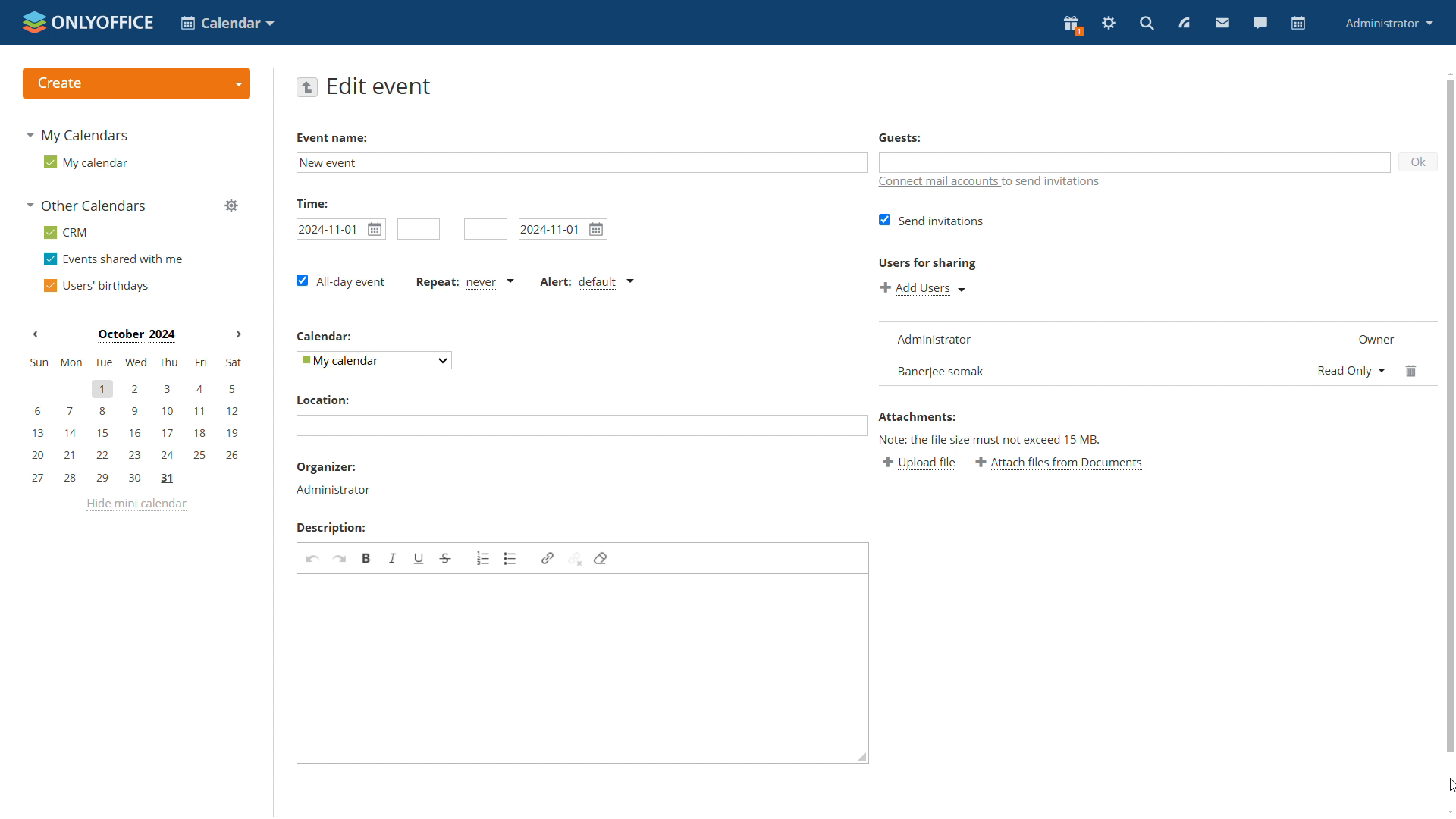 Image resolution: width=1456 pixels, height=819 pixels. Describe the element at coordinates (374, 362) in the screenshot. I see `select calendar` at that location.